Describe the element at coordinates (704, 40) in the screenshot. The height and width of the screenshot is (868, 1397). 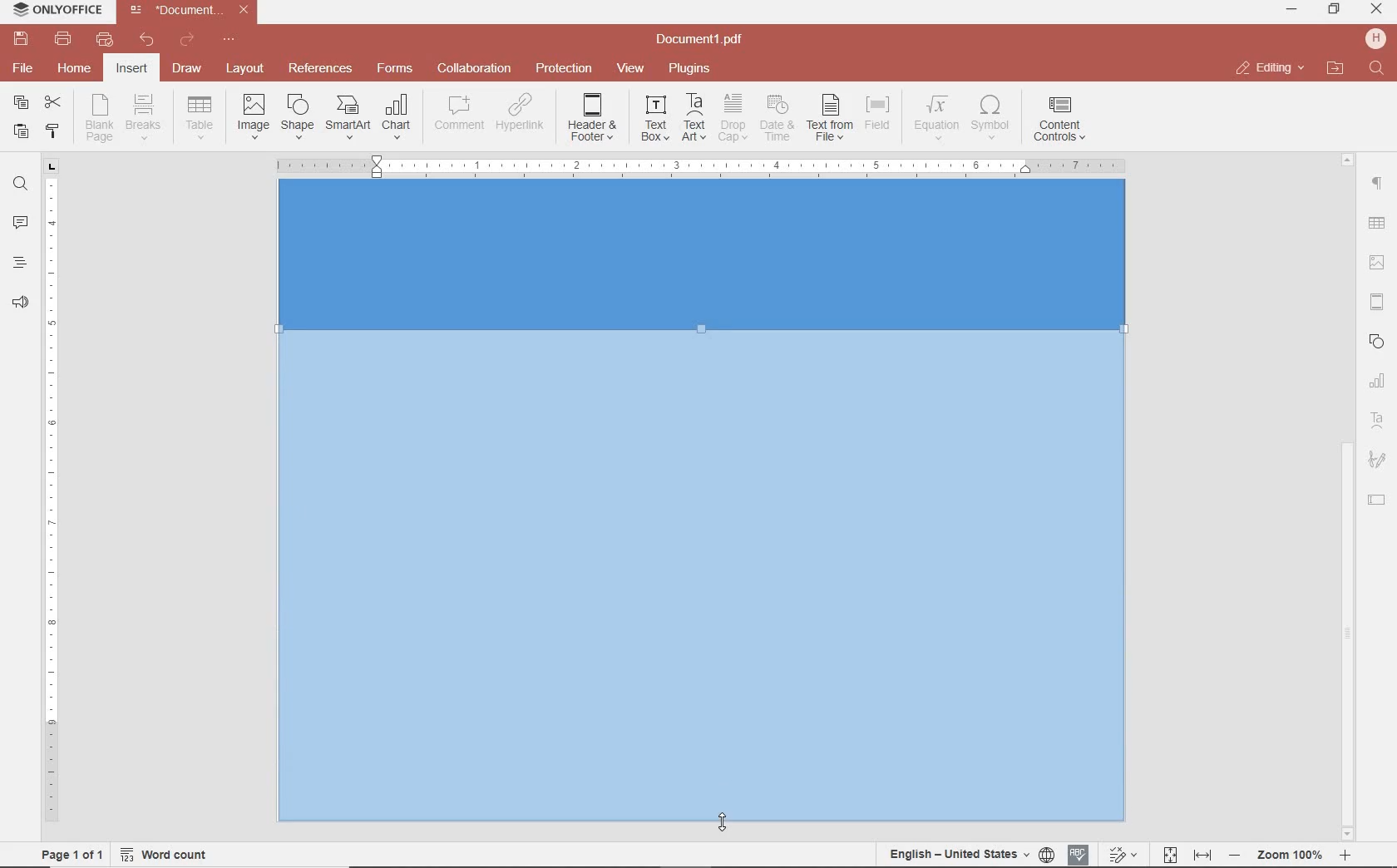
I see `file name` at that location.